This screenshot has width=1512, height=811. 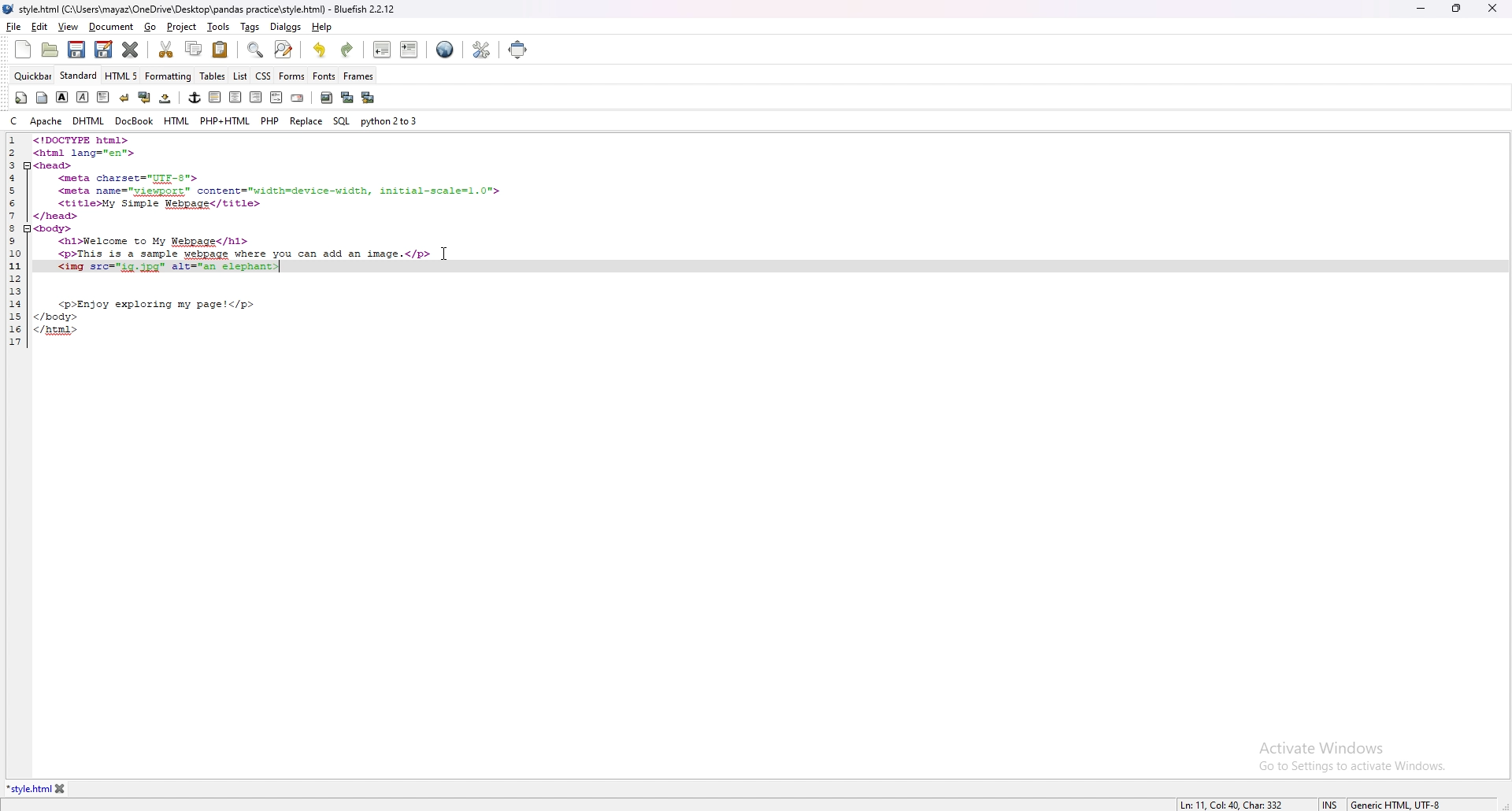 What do you see at coordinates (28, 790) in the screenshot?
I see `*style.html` at bounding box center [28, 790].